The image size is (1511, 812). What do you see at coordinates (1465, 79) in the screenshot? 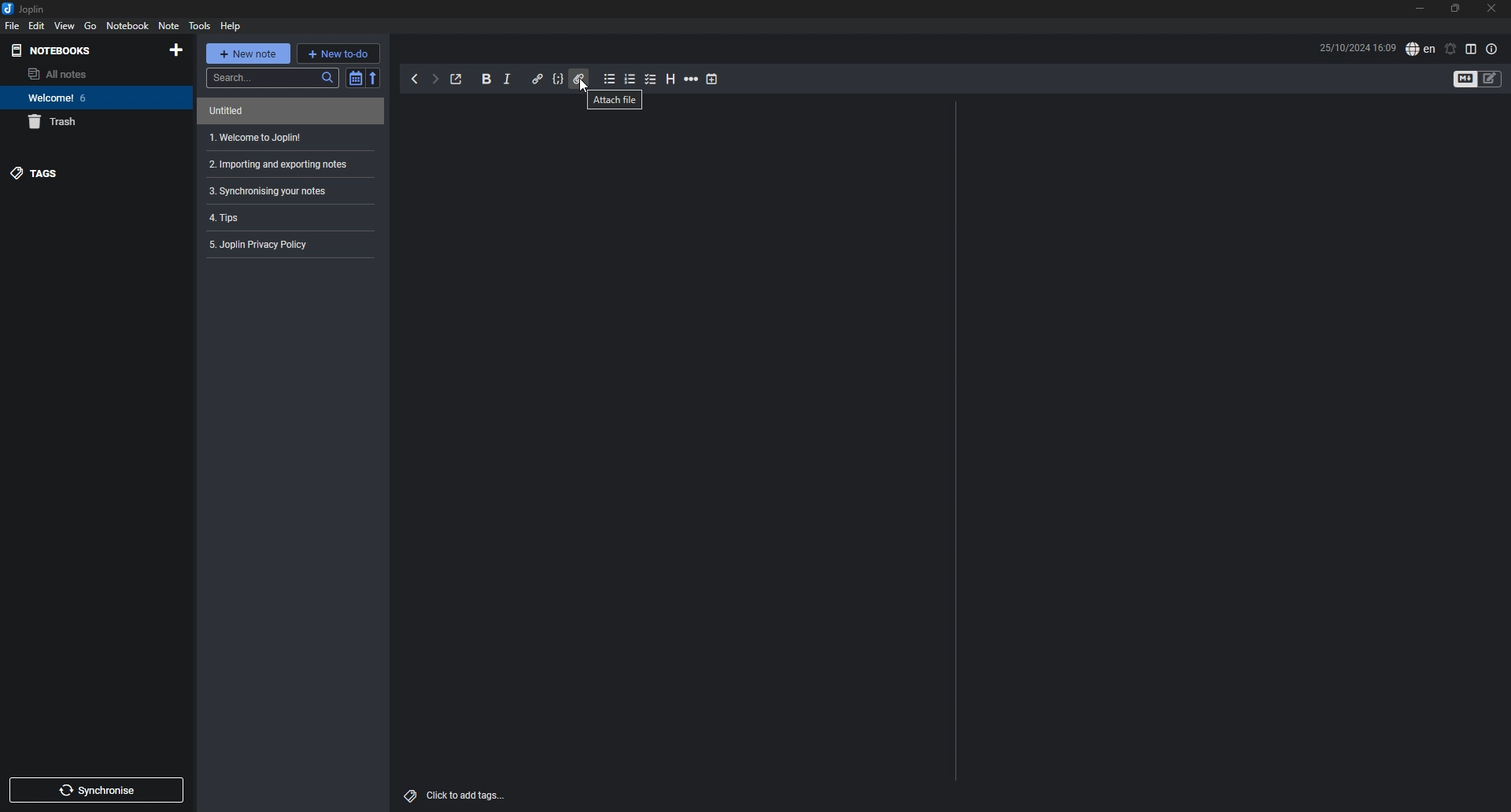
I see `toggle editors` at bounding box center [1465, 79].